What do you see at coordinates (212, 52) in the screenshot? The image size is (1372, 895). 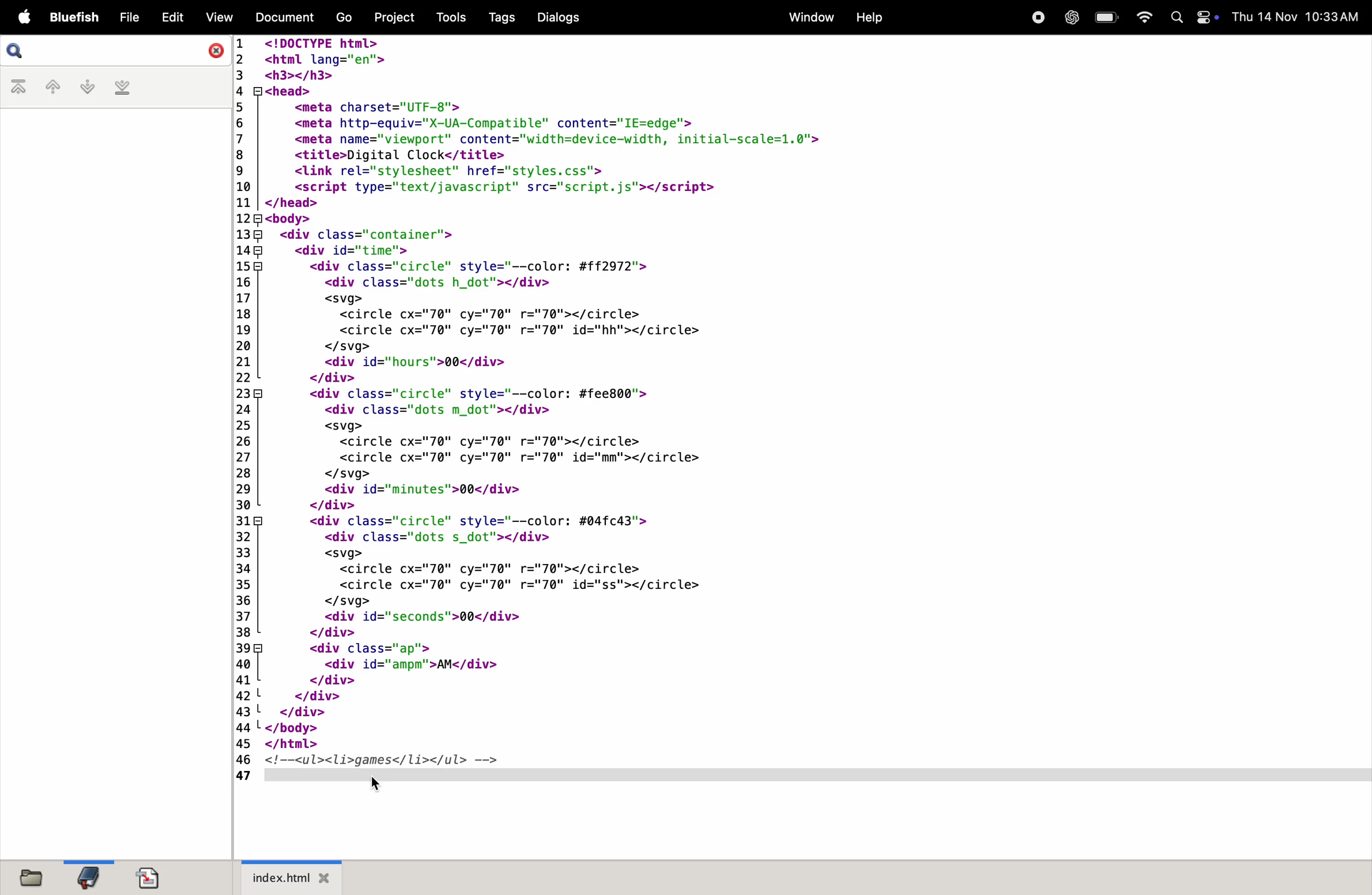 I see `close` at bounding box center [212, 52].